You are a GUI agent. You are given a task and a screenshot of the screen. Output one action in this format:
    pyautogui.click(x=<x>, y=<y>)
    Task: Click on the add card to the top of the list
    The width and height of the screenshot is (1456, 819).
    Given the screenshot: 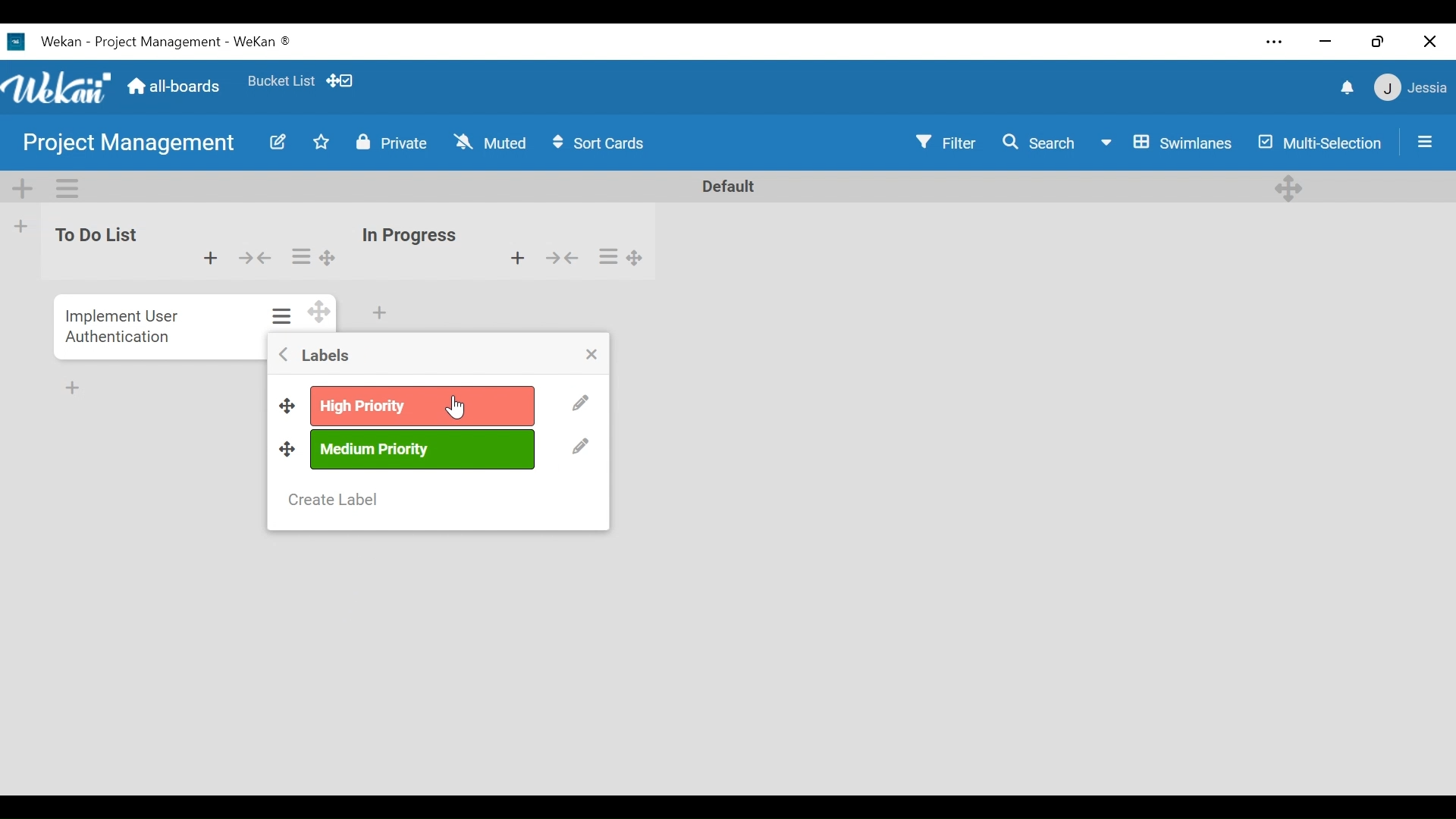 What is the action you would take?
    pyautogui.click(x=209, y=259)
    